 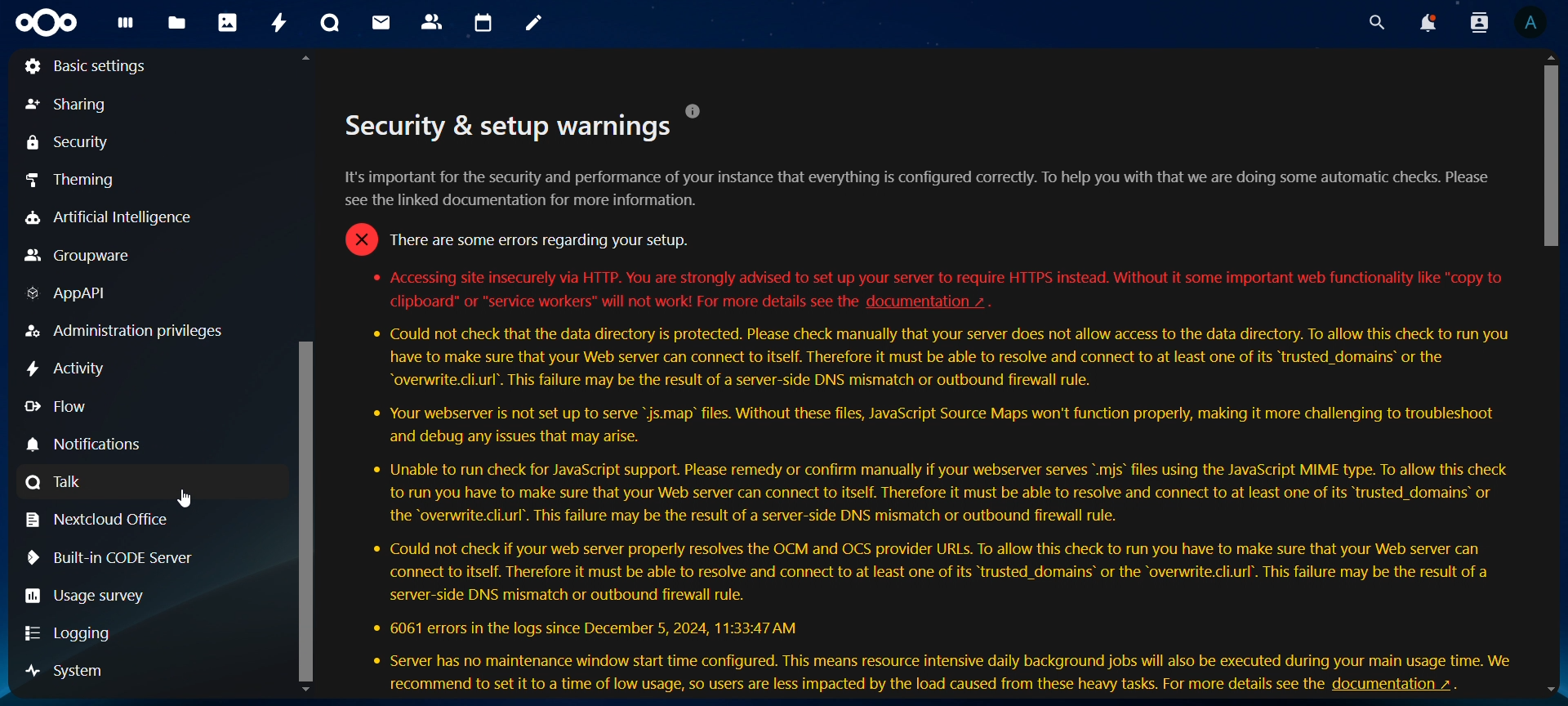 What do you see at coordinates (1545, 156) in the screenshot?
I see `vertical scroll bar` at bounding box center [1545, 156].